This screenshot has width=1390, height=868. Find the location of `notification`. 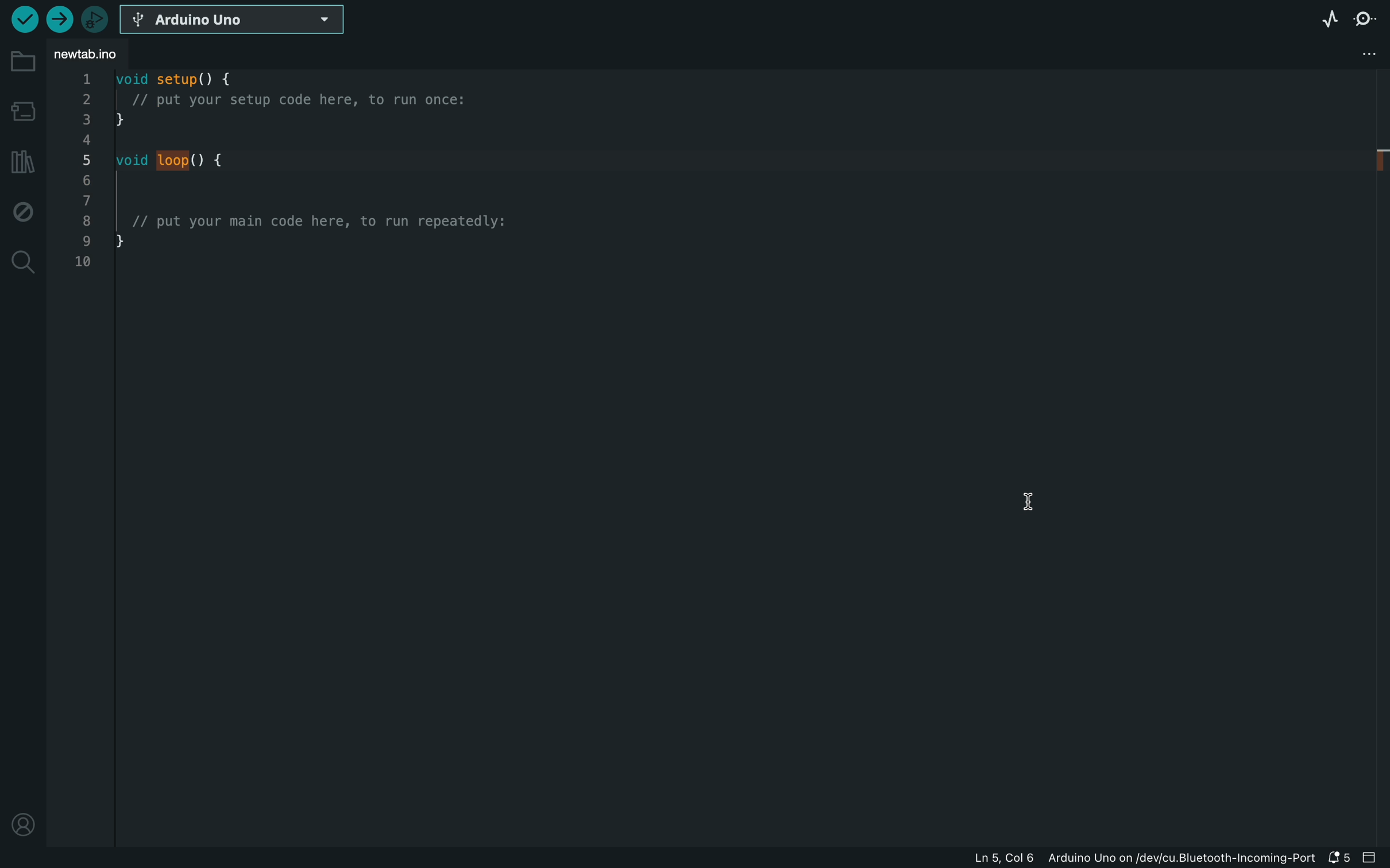

notification is located at coordinates (1341, 858).